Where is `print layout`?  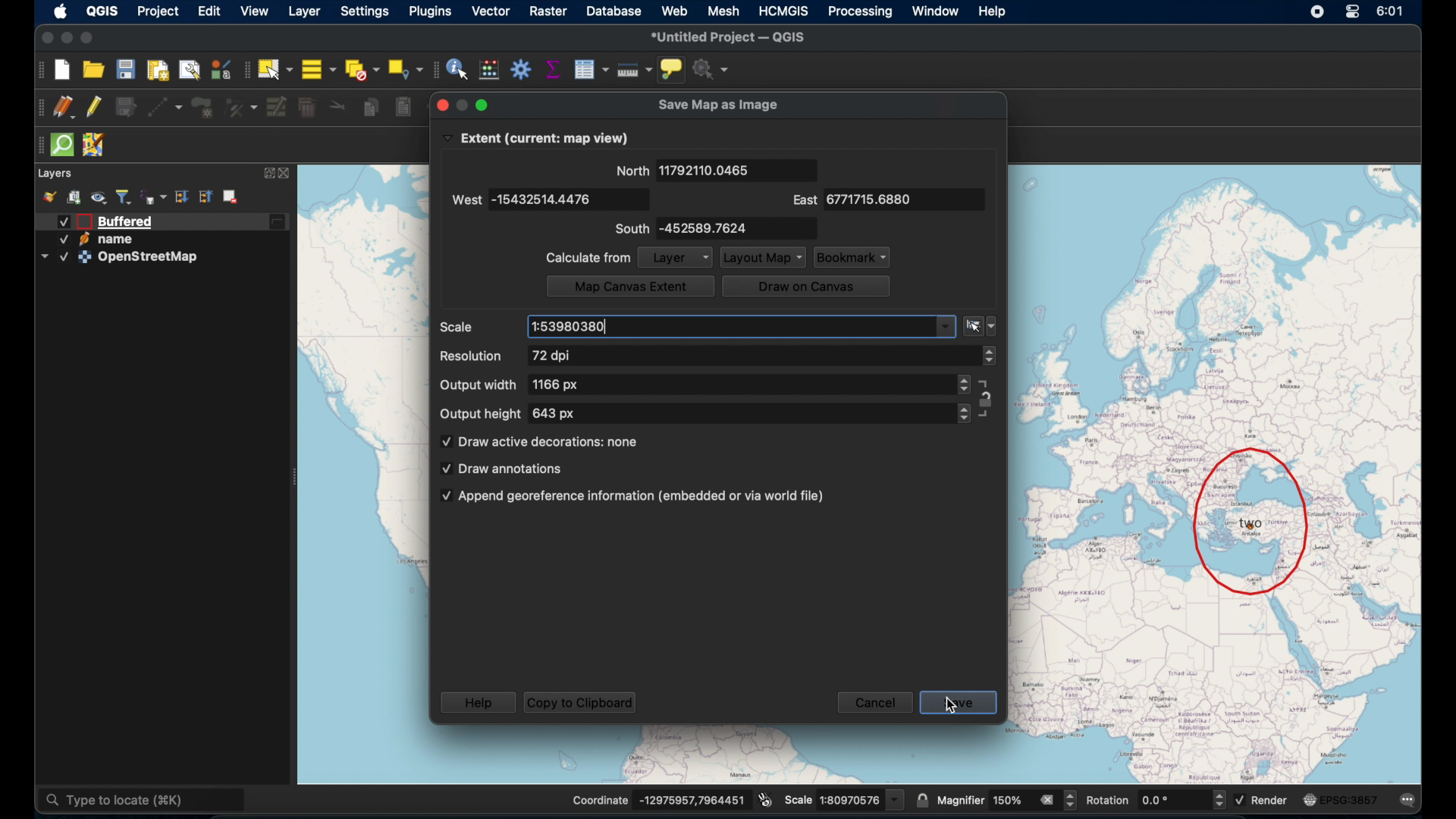
print layout is located at coordinates (158, 70).